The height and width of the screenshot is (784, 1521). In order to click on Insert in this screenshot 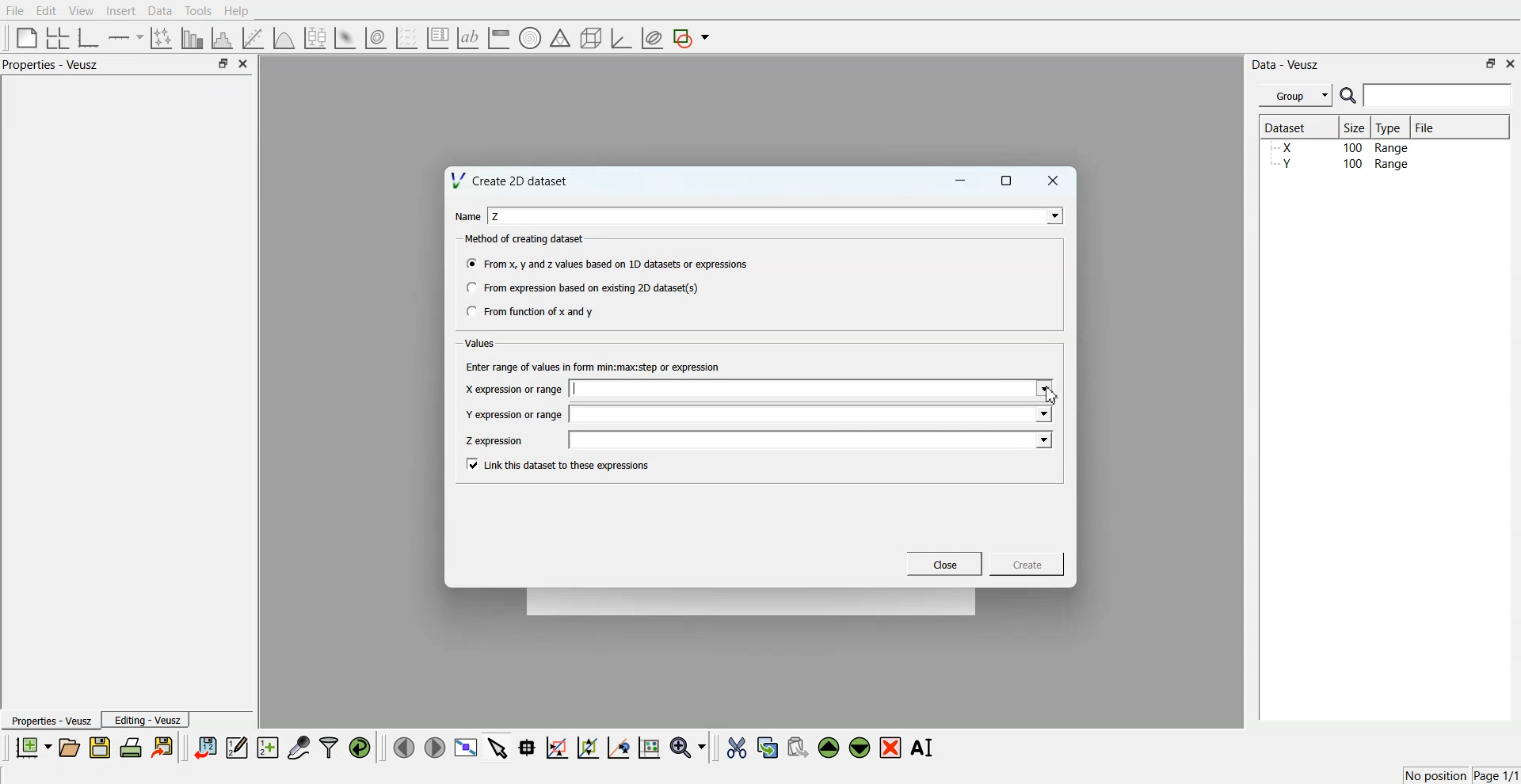, I will do `click(120, 10)`.